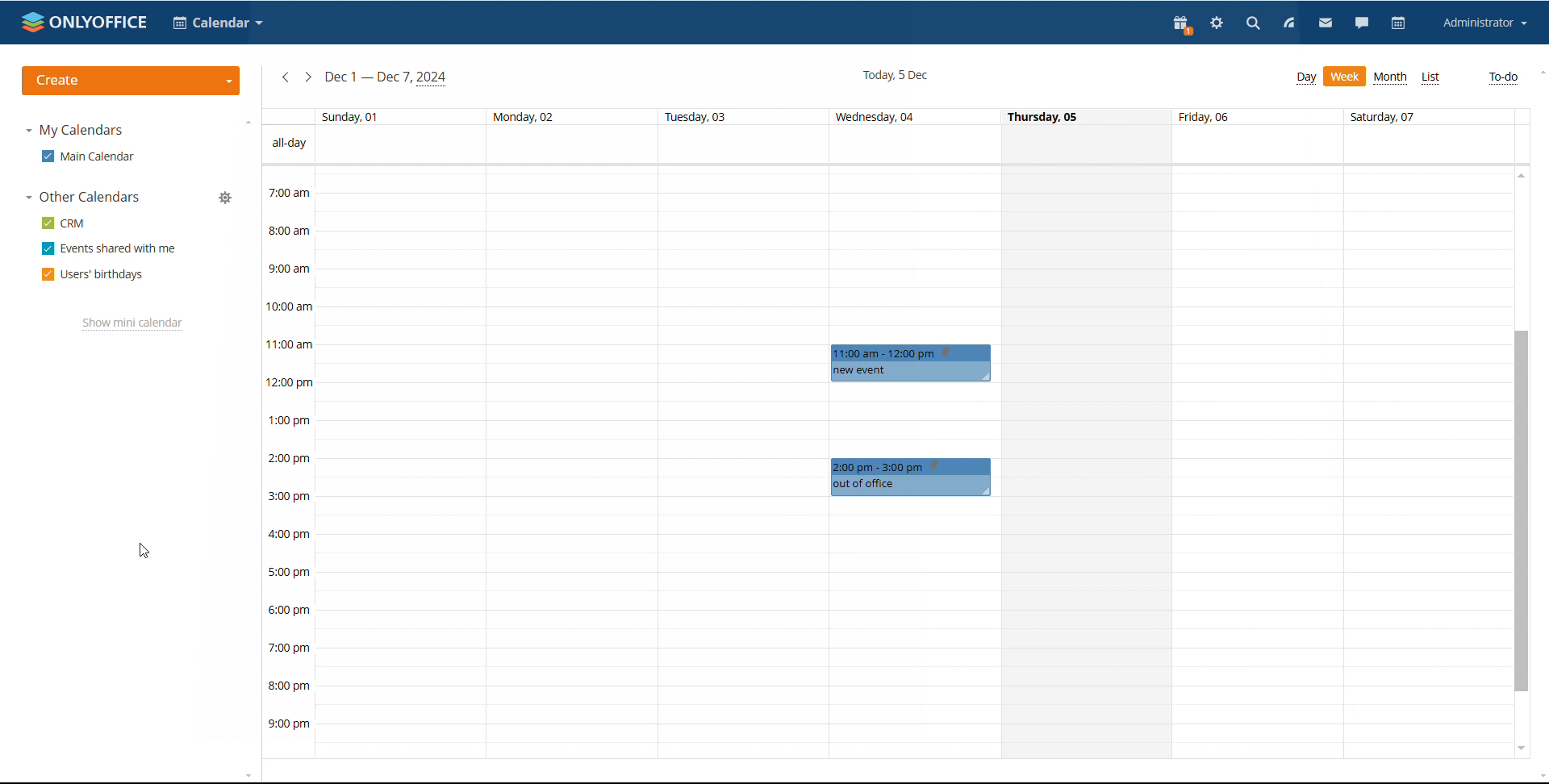 This screenshot has height=784, width=1549. Describe the element at coordinates (144, 553) in the screenshot. I see `cursor` at that location.